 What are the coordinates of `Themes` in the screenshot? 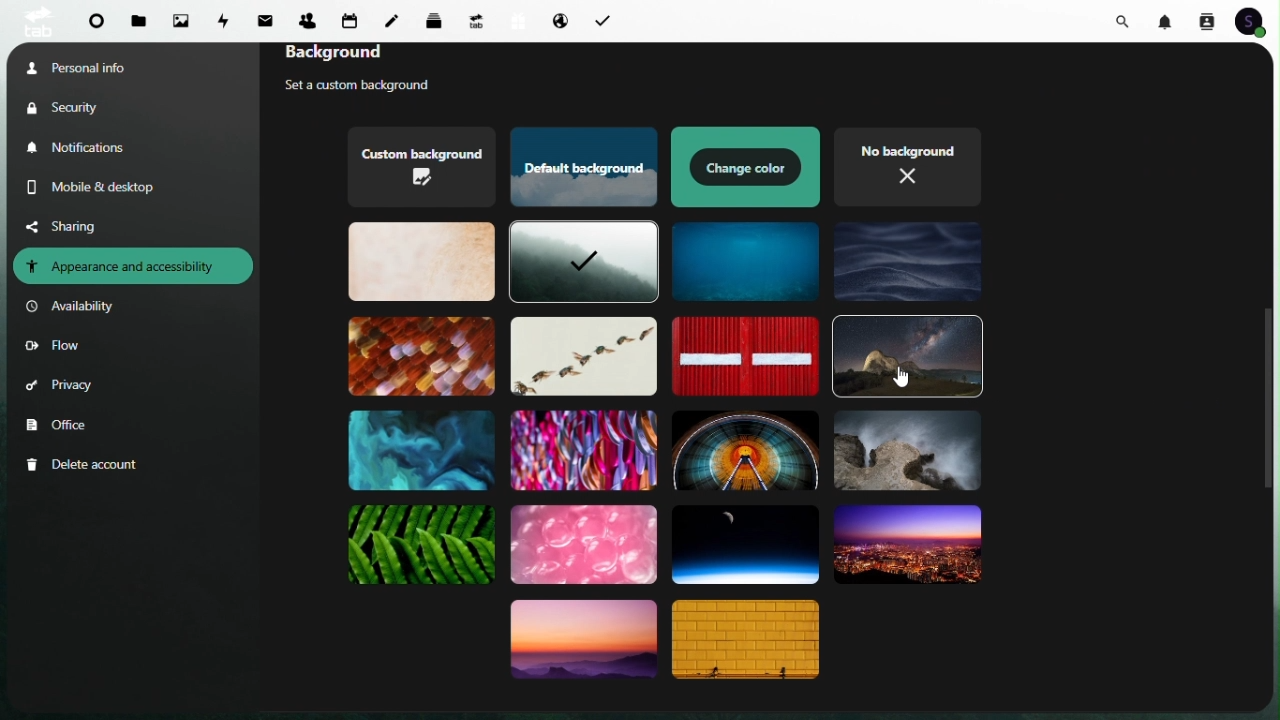 It's located at (419, 355).